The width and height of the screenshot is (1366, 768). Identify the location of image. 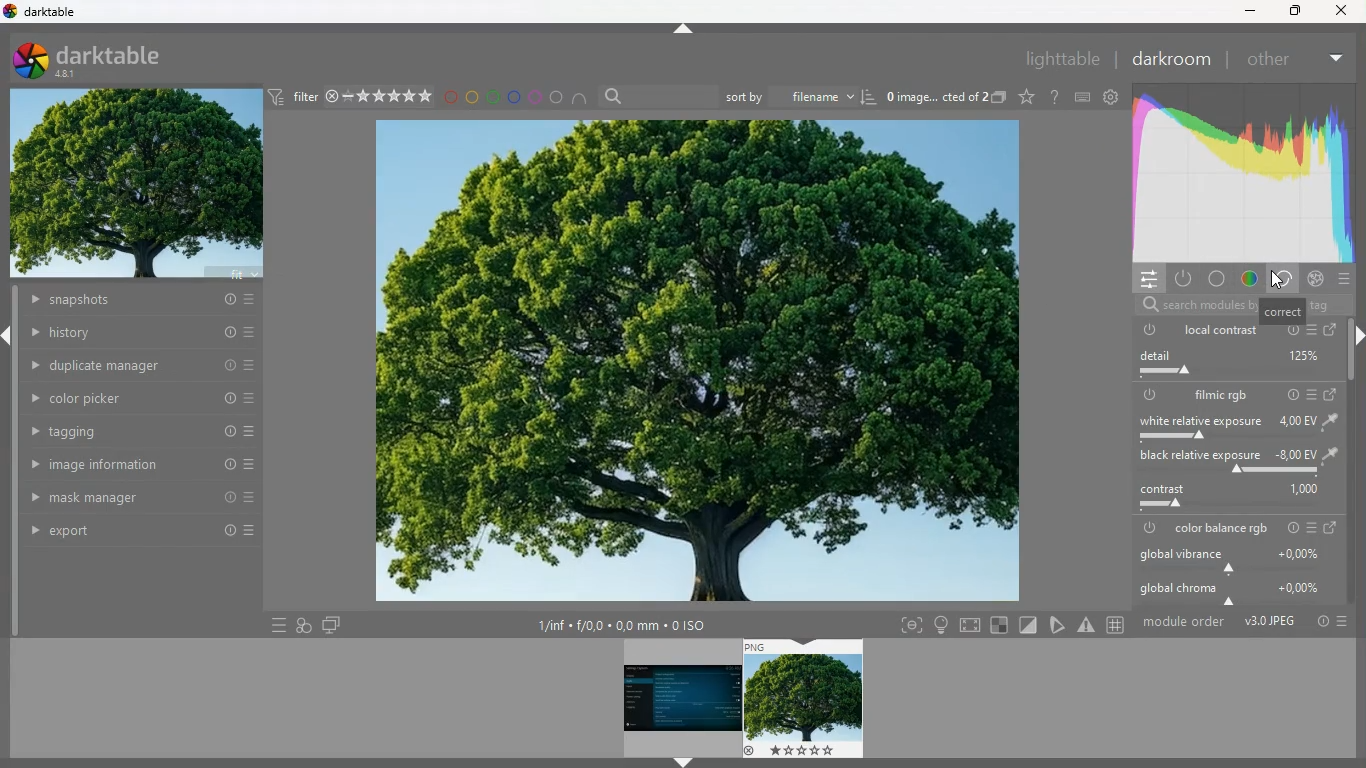
(933, 95).